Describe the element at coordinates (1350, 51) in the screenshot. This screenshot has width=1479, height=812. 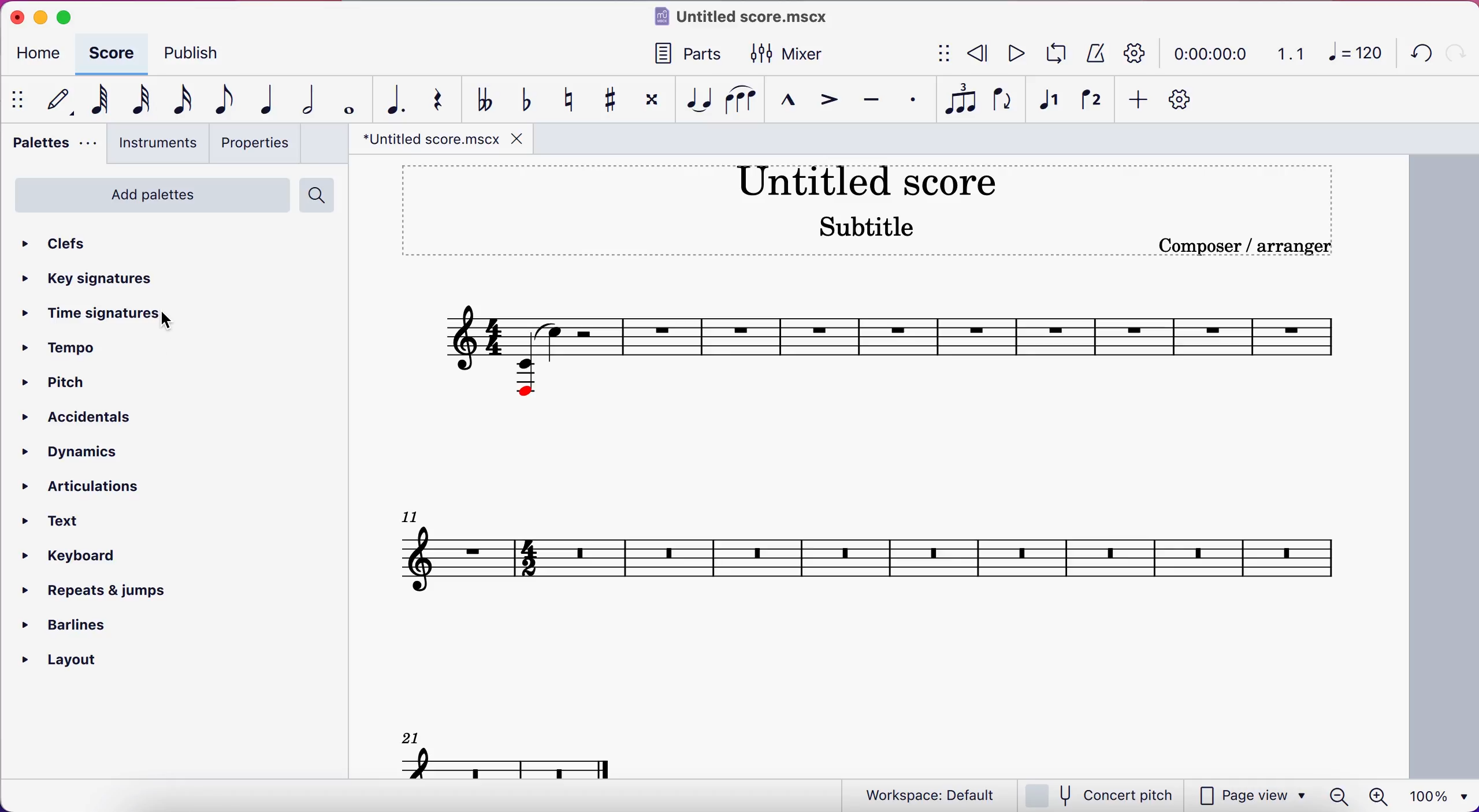
I see `120` at that location.